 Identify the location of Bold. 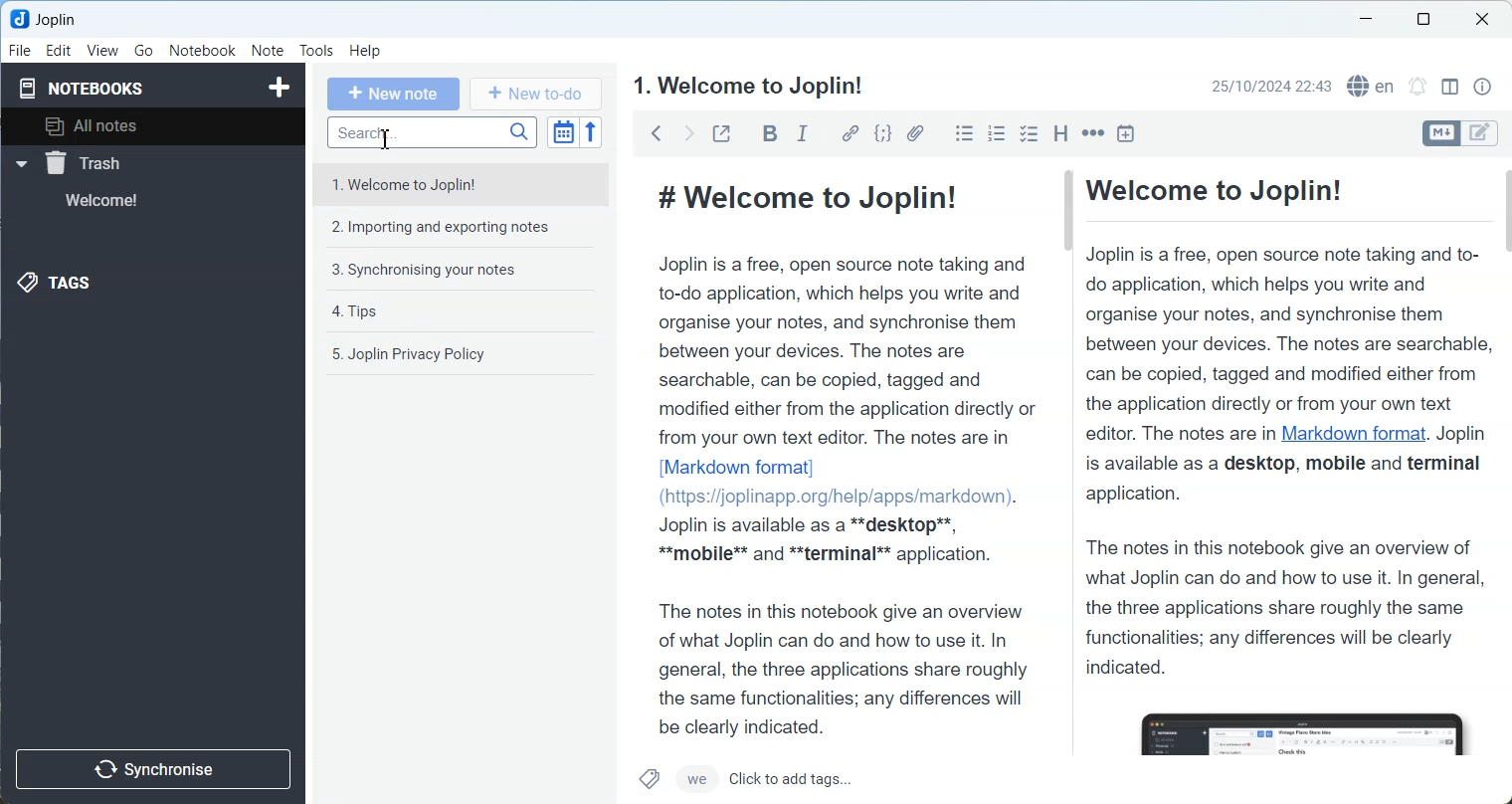
(768, 133).